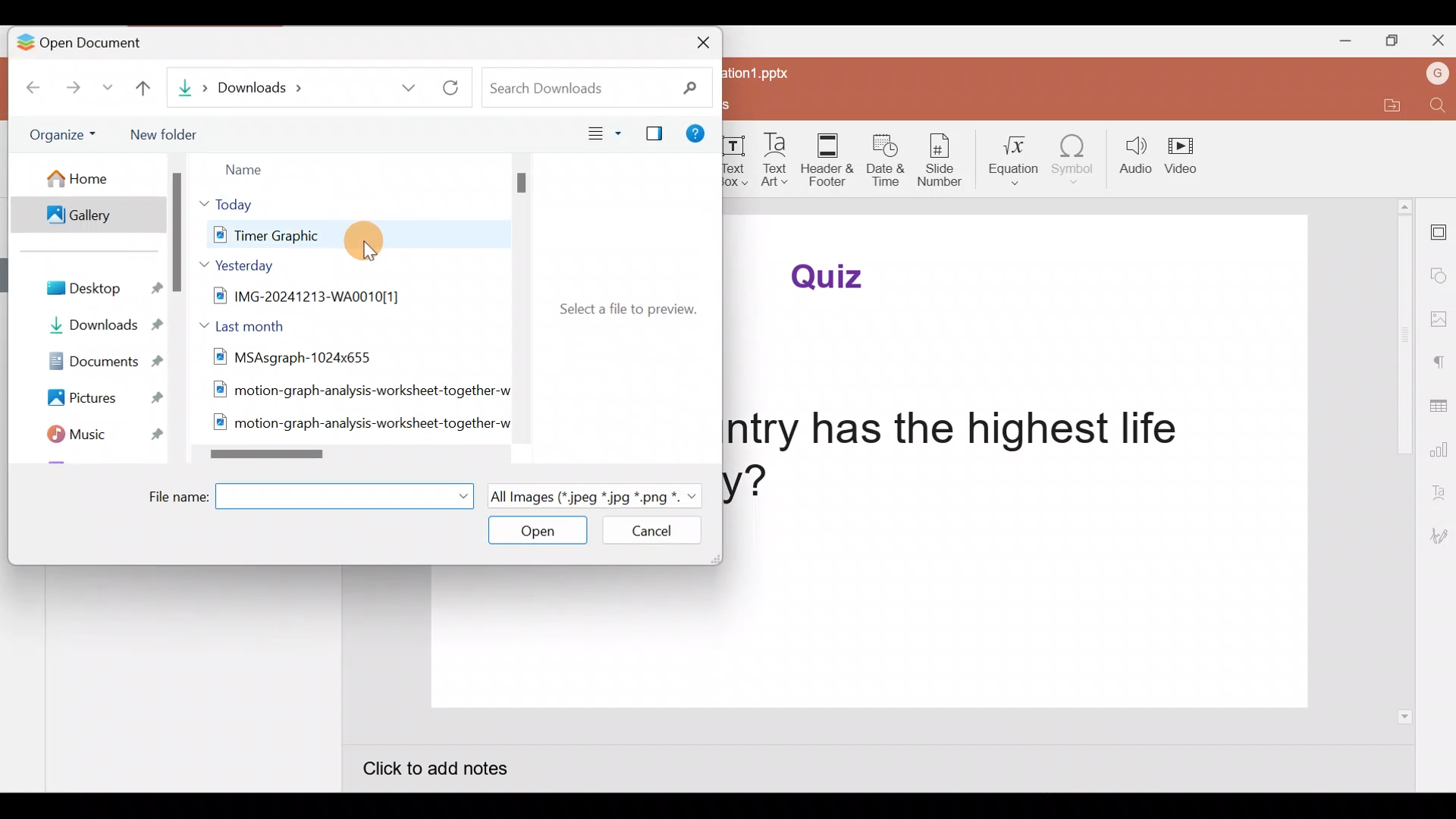  I want to click on Maximize, so click(1392, 39).